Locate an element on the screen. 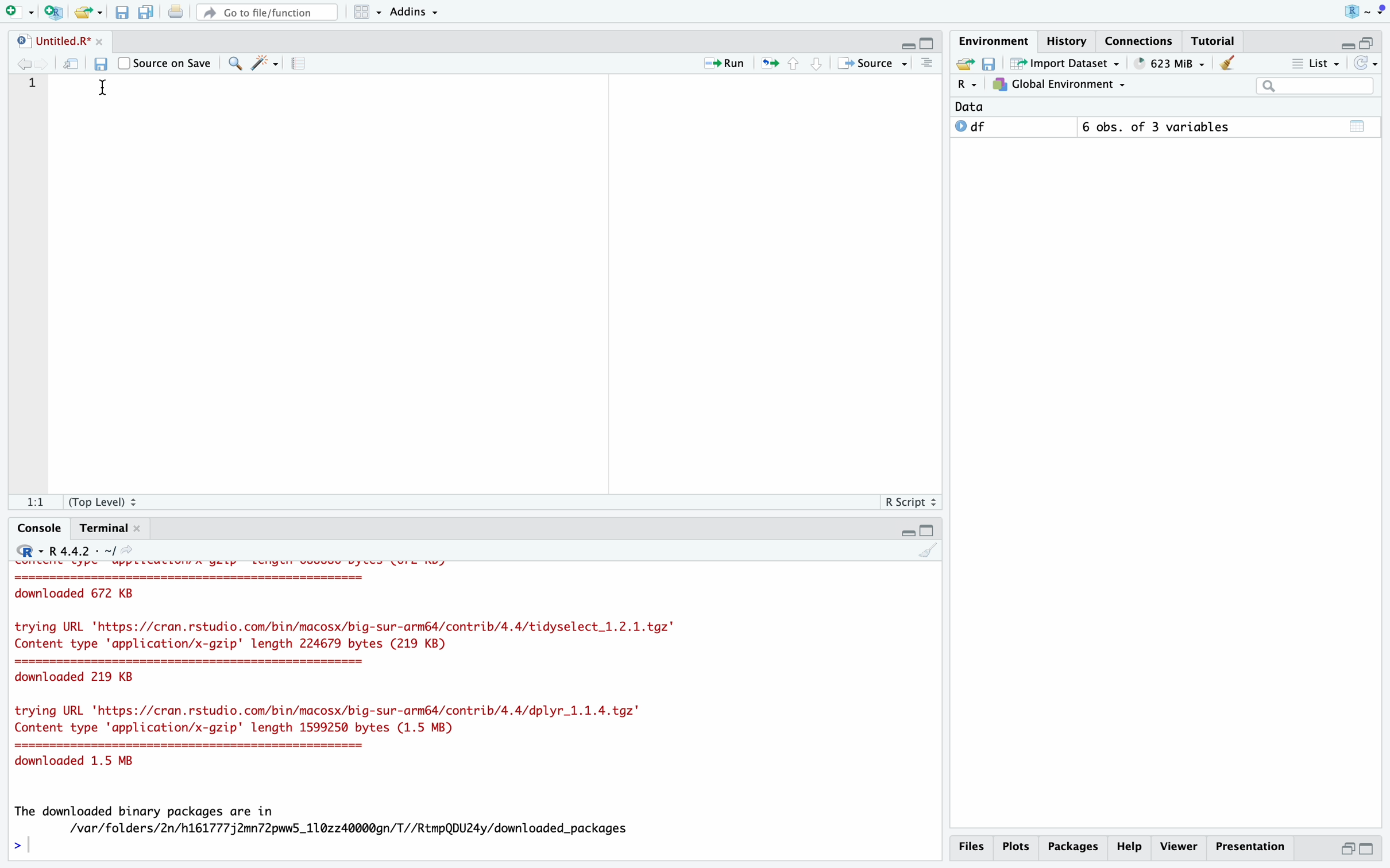 The image size is (1390, 868). Tutorial is located at coordinates (1210, 41).